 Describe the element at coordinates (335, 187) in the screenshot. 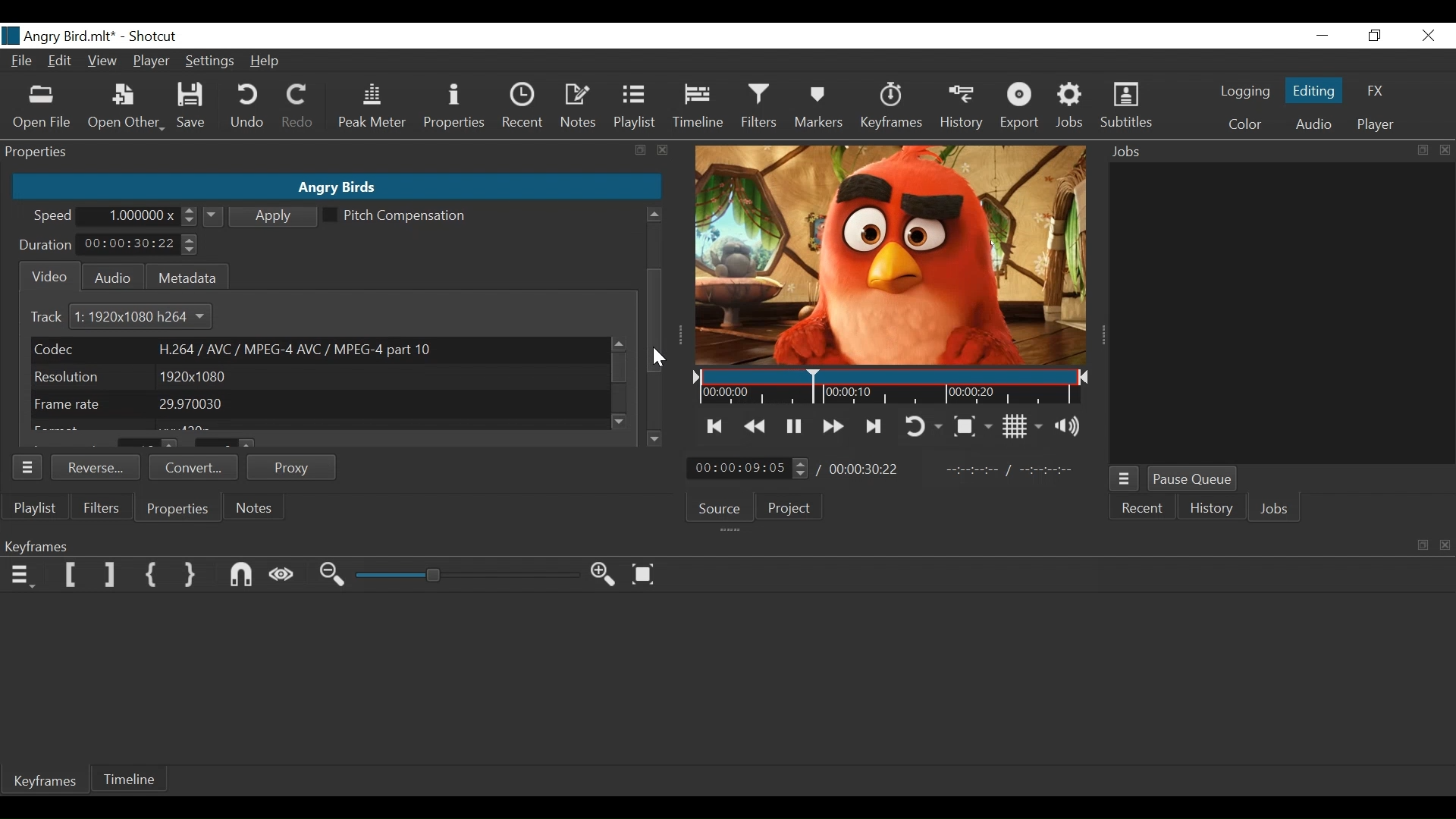

I see `Clip Name` at that location.